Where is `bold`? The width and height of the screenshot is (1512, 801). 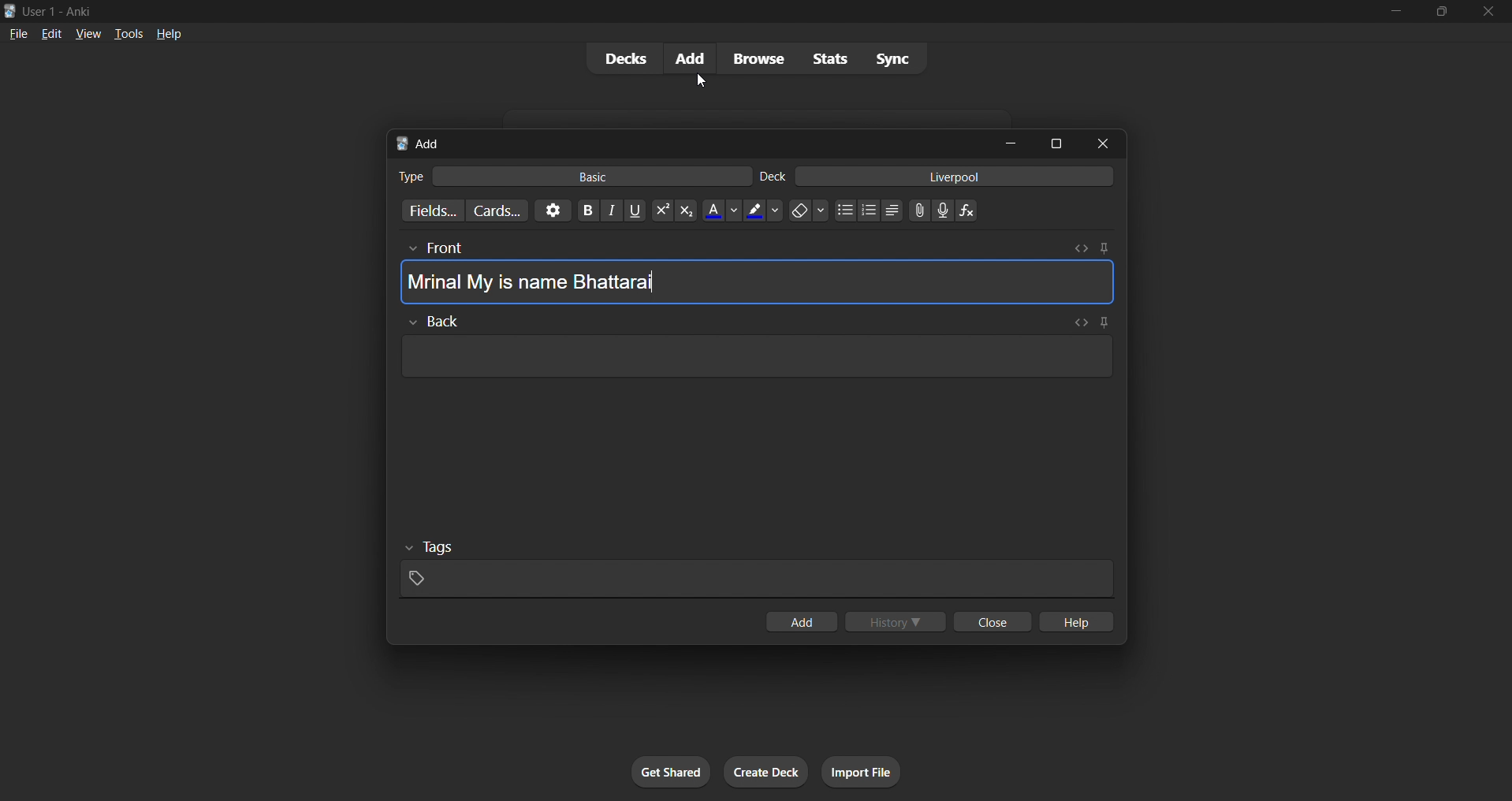
bold is located at coordinates (582, 209).